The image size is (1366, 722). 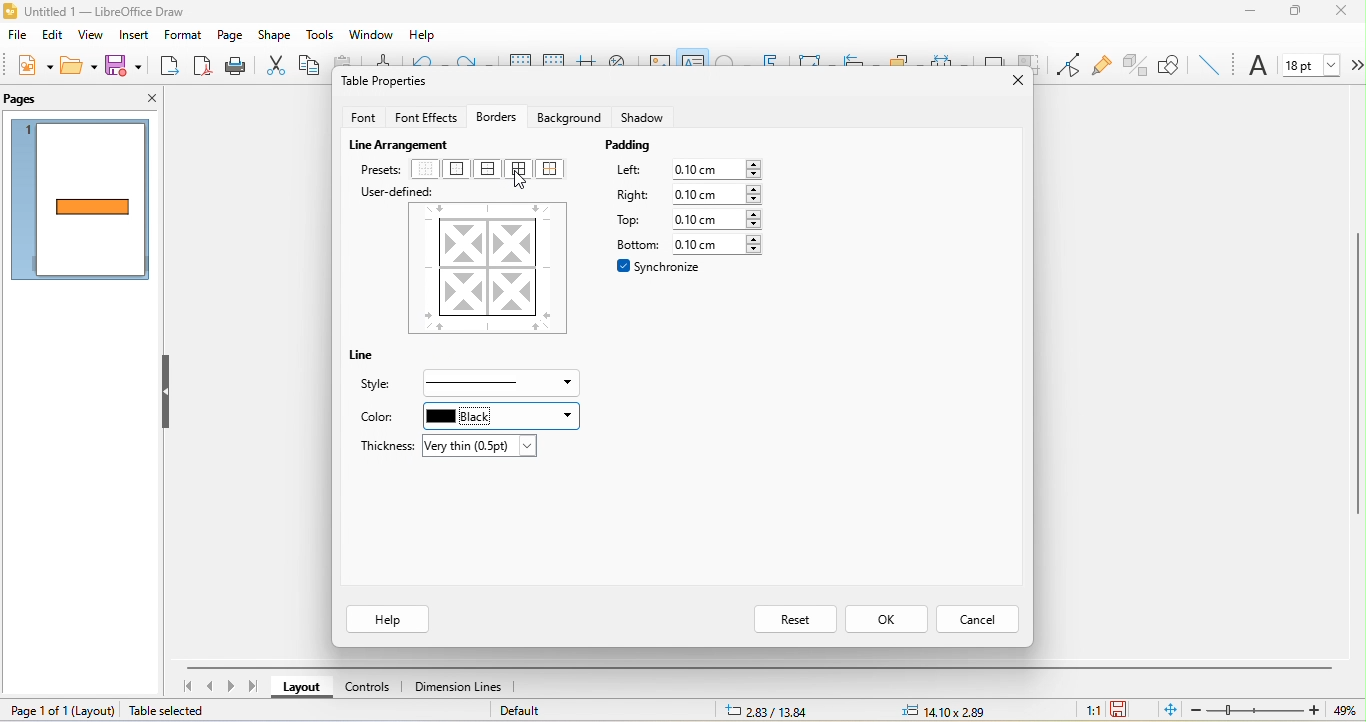 I want to click on font, so click(x=362, y=115).